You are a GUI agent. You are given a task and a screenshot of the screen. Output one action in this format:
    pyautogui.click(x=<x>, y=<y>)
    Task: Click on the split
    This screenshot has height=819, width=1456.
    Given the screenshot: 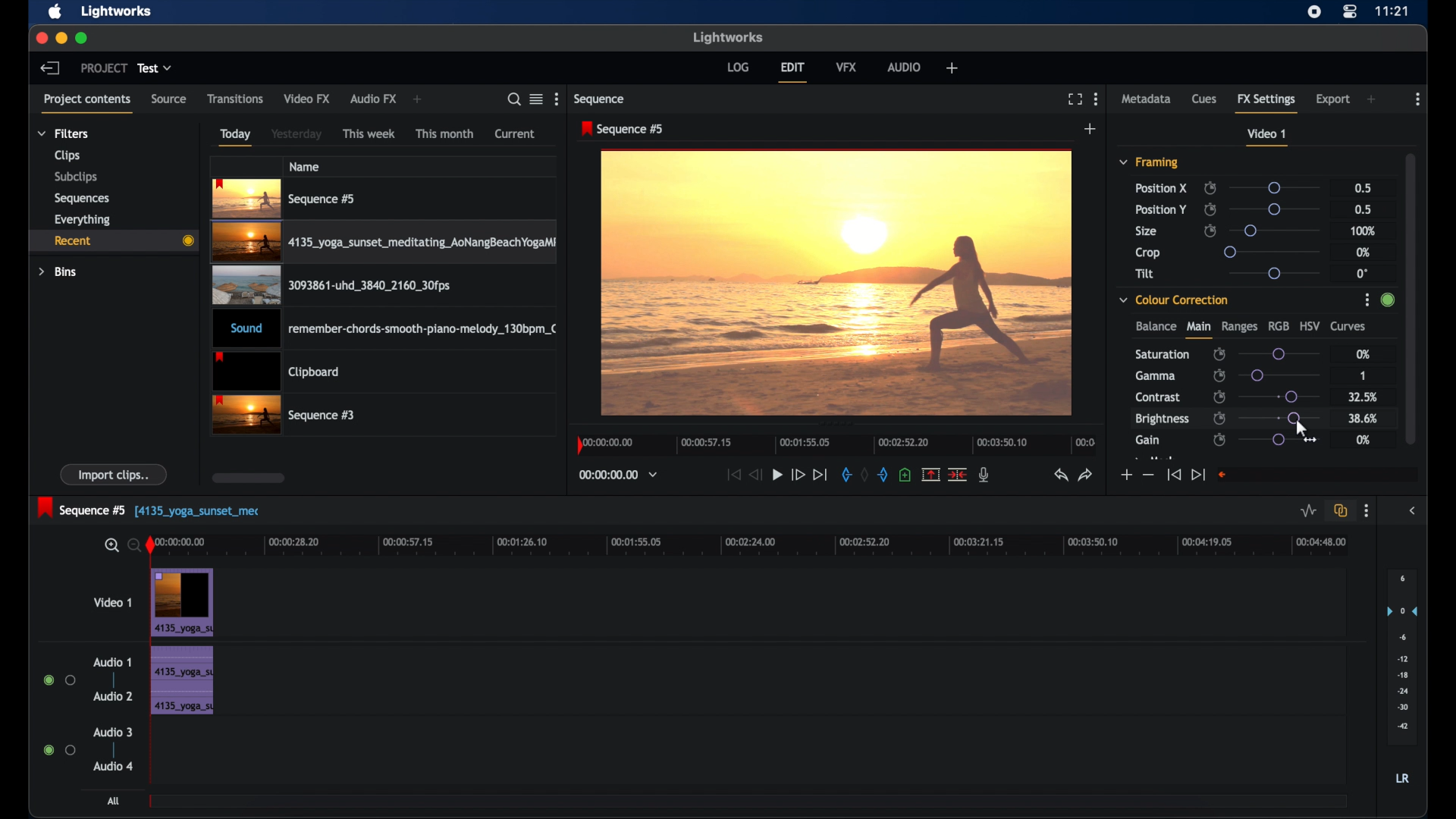 What is the action you would take?
    pyautogui.click(x=959, y=473)
    